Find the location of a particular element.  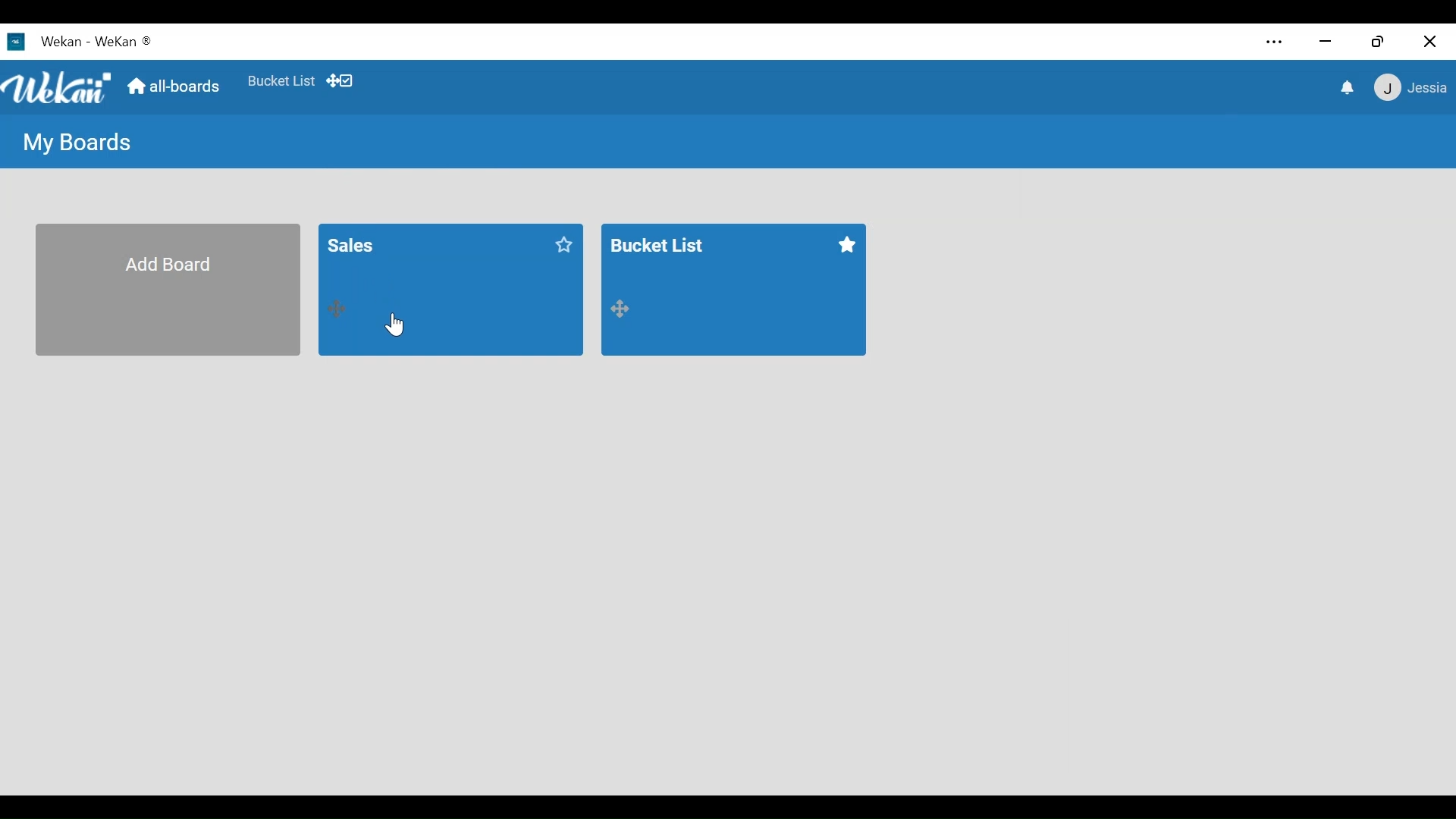

Add Board is located at coordinates (166, 288).